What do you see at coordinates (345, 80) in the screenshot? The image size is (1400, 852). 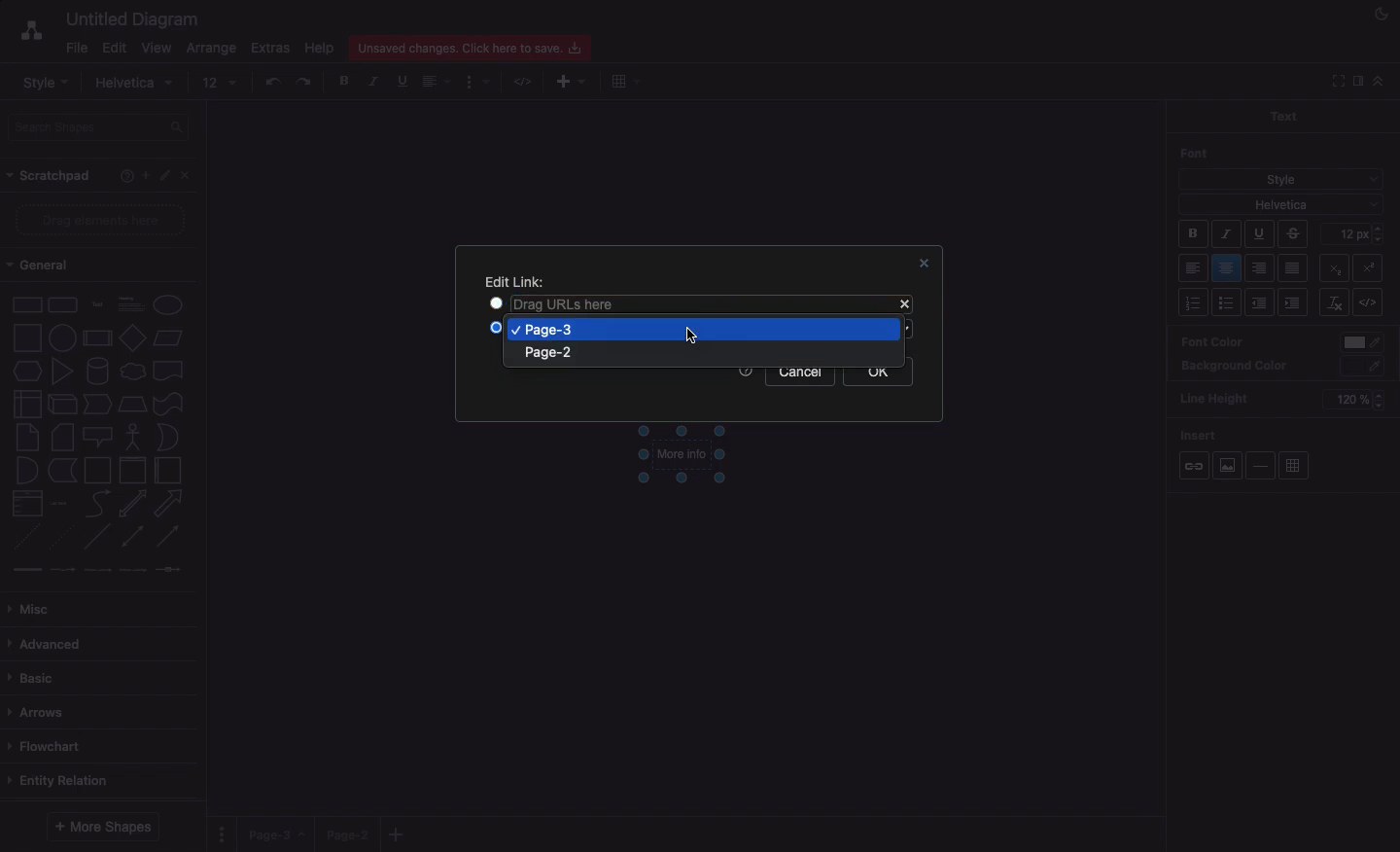 I see `Bold` at bounding box center [345, 80].